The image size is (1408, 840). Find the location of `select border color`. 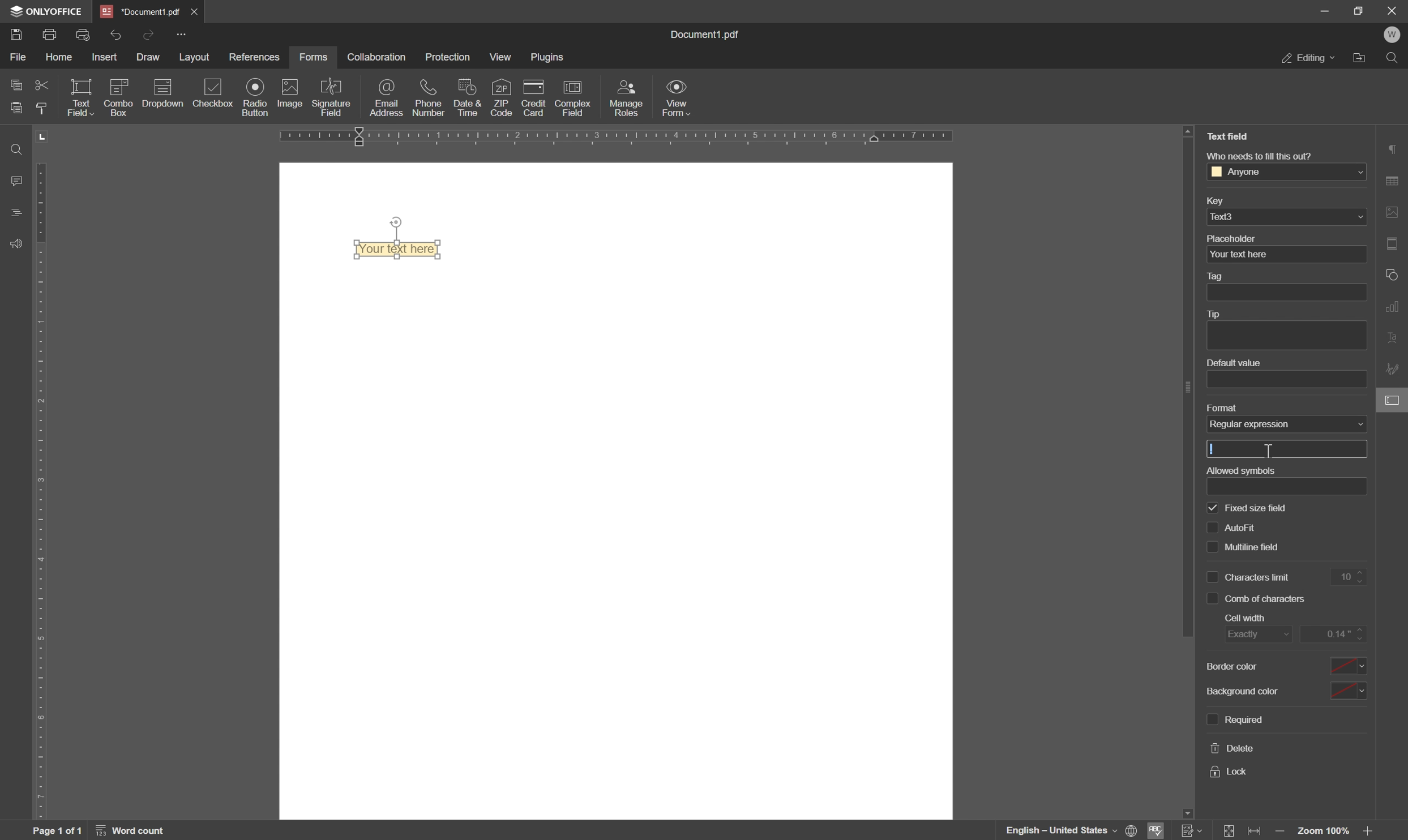

select border color is located at coordinates (1350, 663).